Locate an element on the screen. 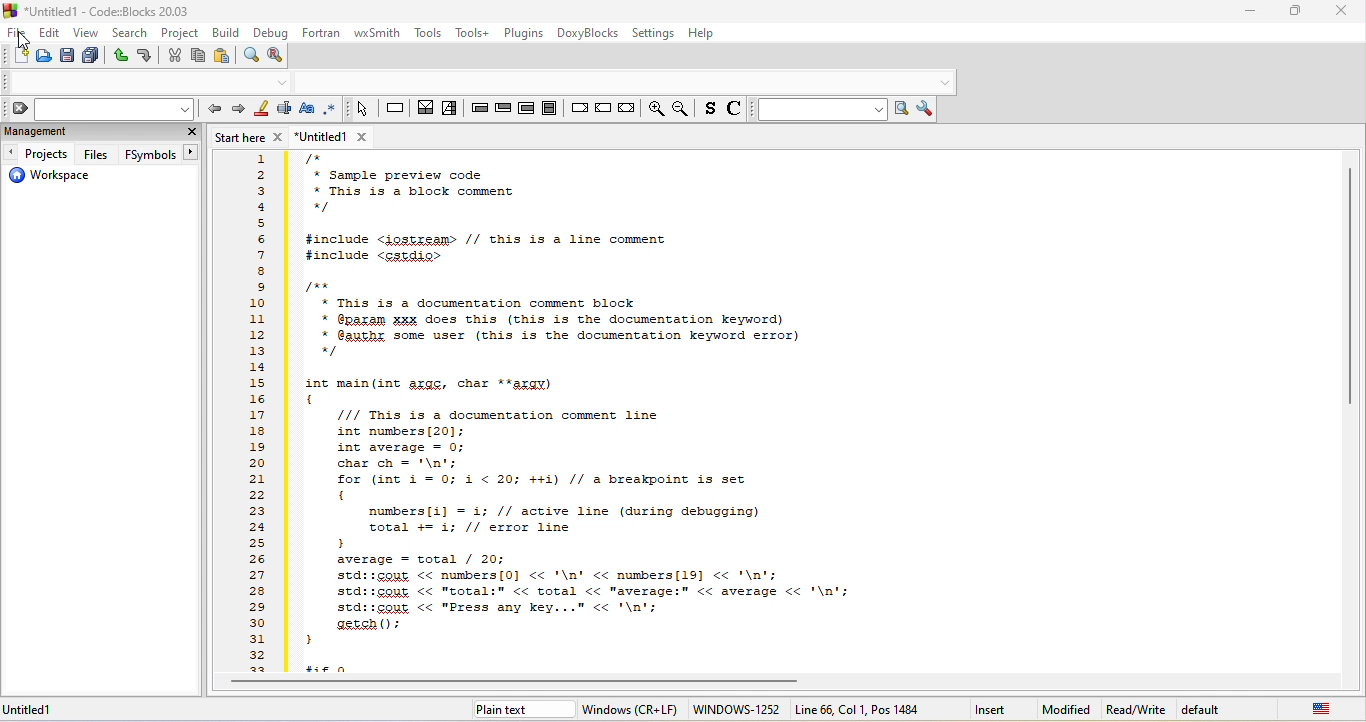  close is located at coordinates (1343, 11).